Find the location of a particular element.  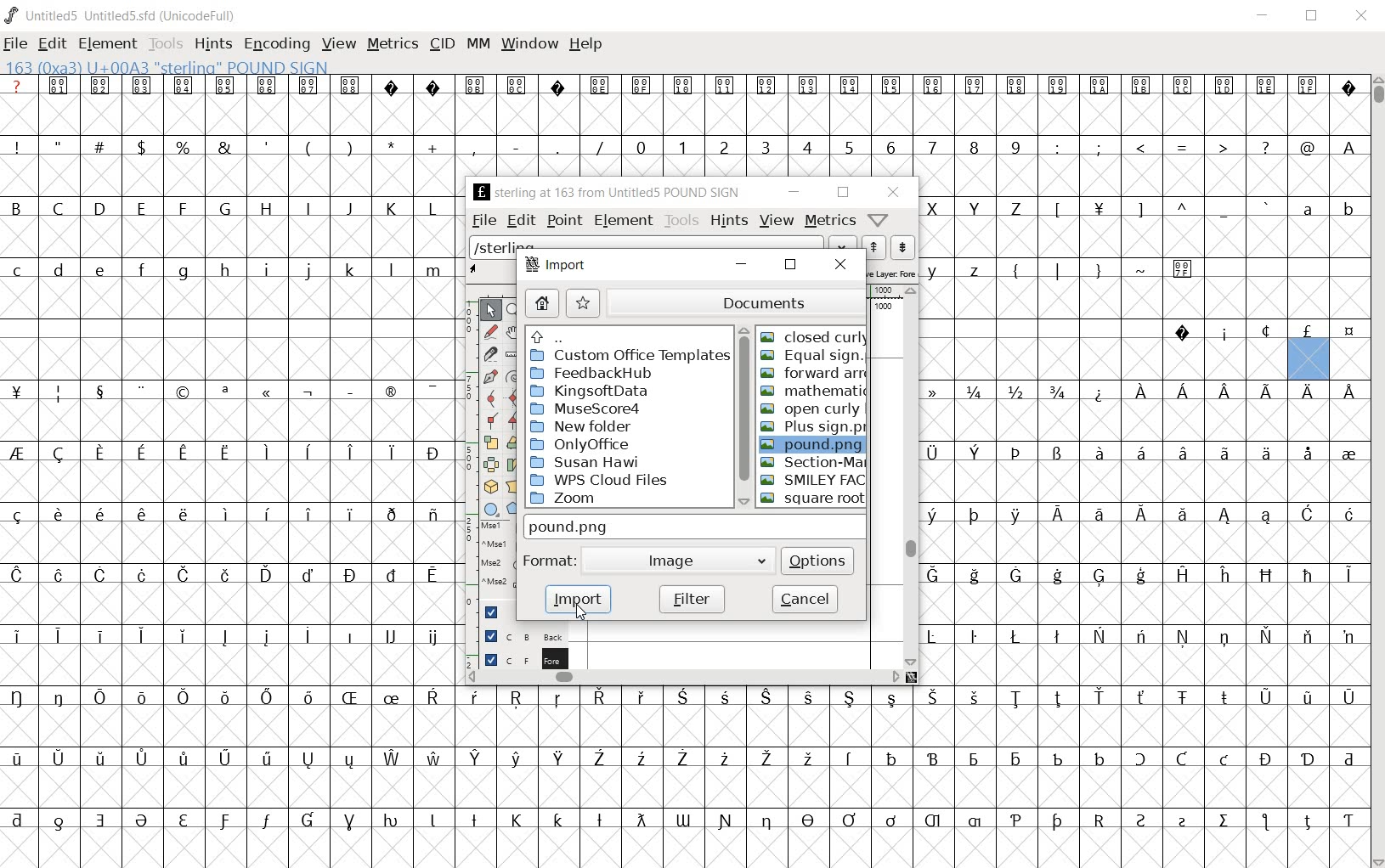

Plus sign.p is located at coordinates (812, 429).